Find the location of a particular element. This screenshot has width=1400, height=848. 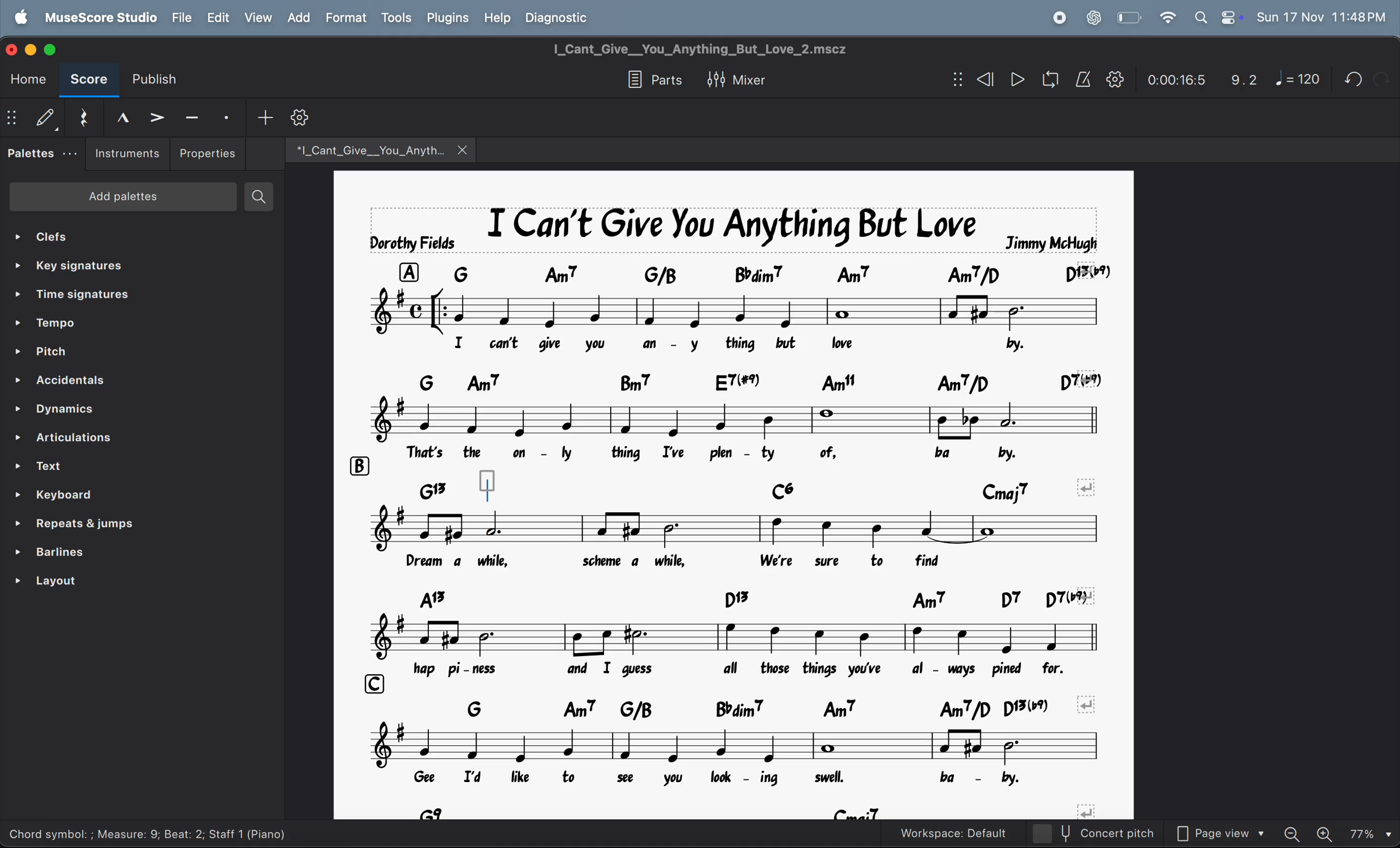

barlines is located at coordinates (116, 554).